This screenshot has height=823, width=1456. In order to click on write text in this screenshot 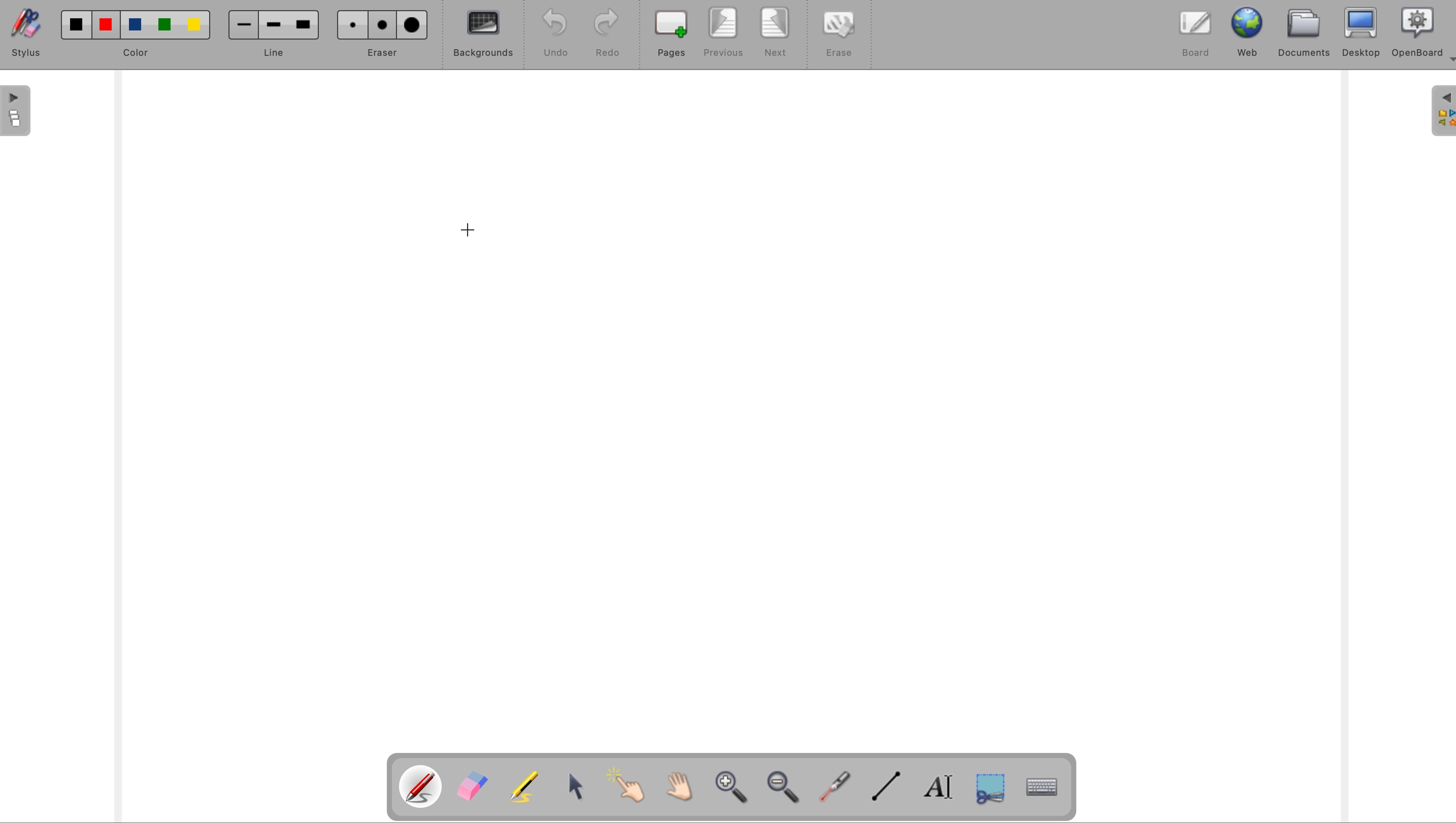, I will do `click(941, 790)`.